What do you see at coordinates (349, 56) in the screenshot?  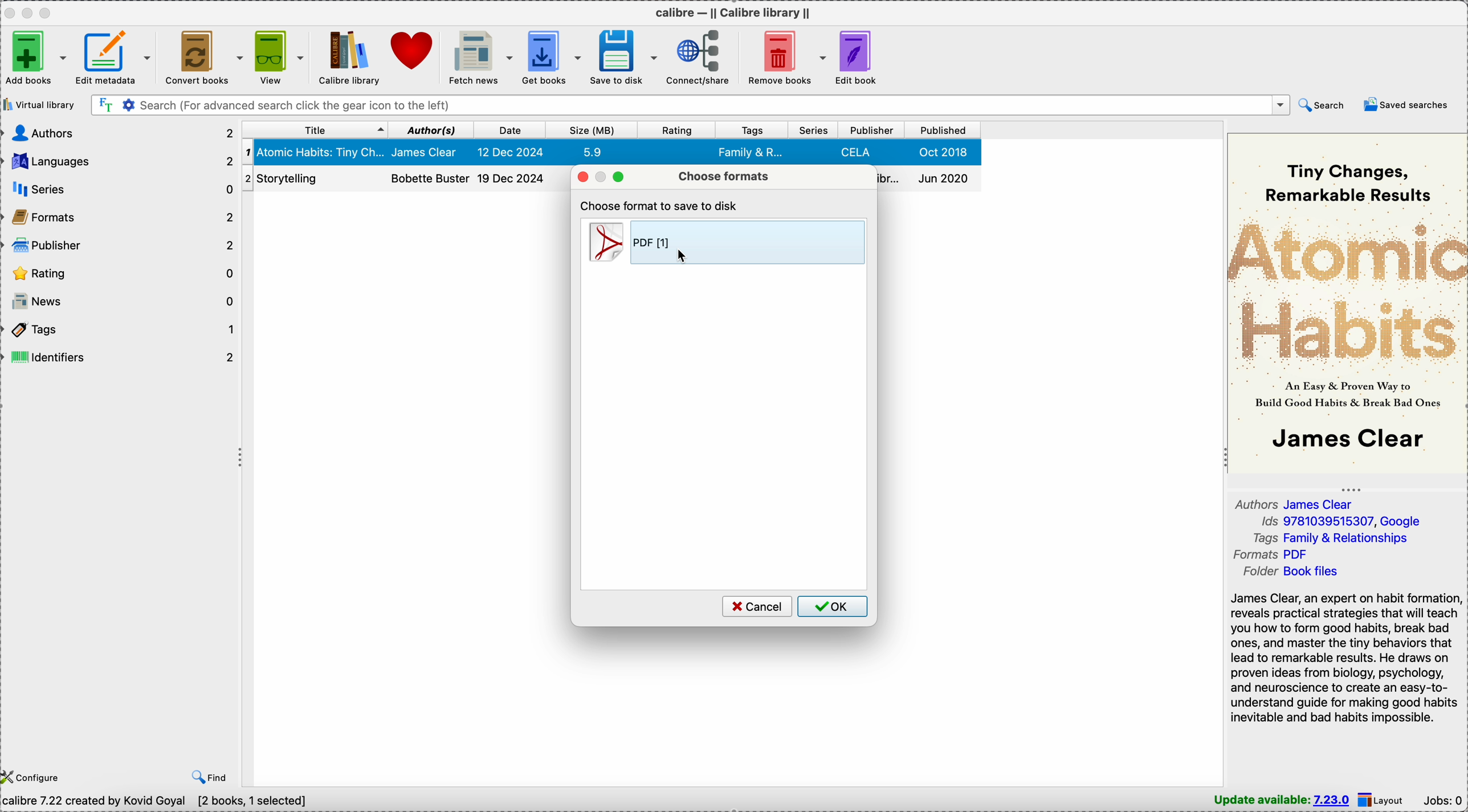 I see `Calibre library` at bounding box center [349, 56].